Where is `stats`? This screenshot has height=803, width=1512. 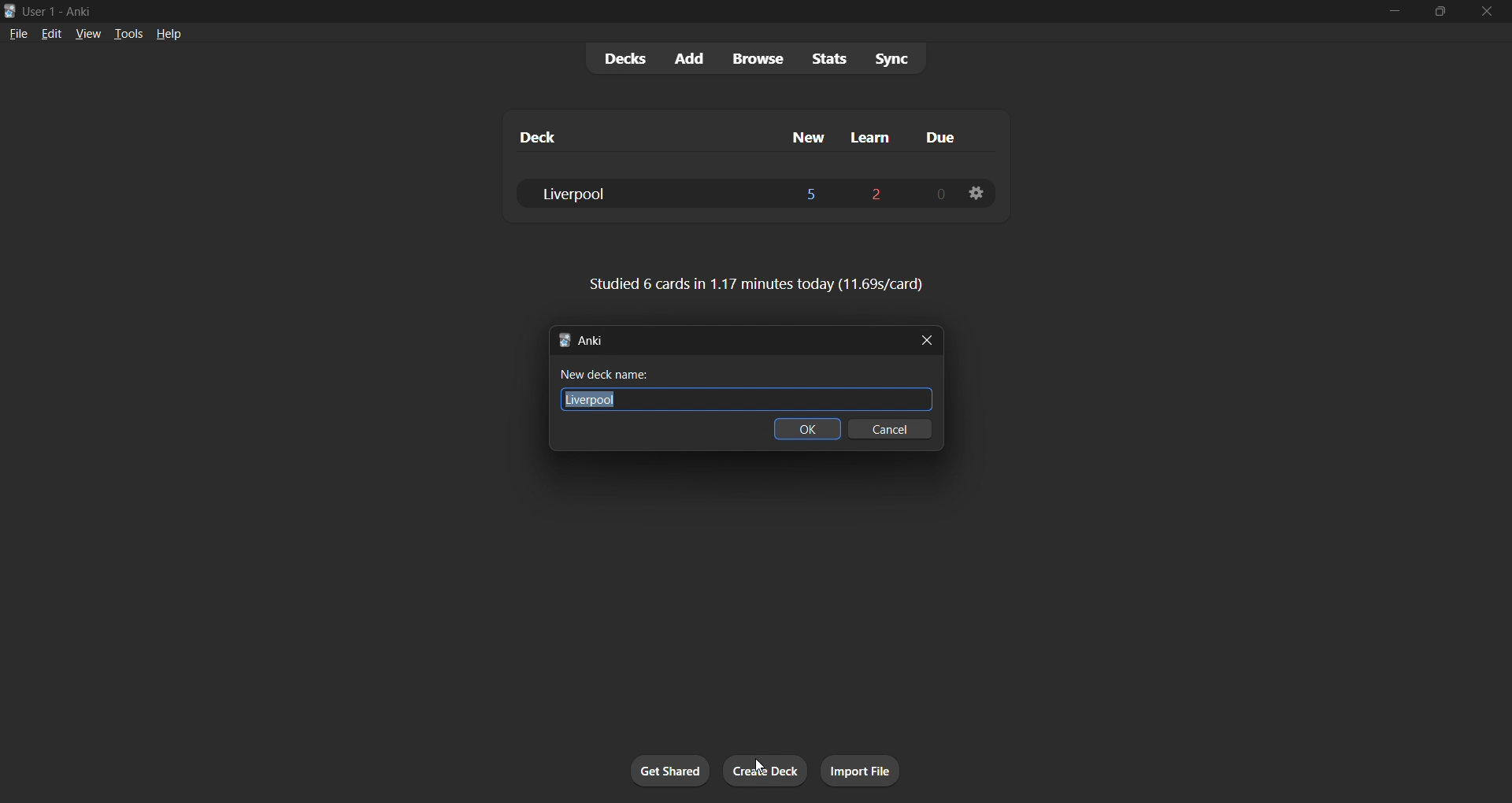
stats is located at coordinates (832, 57).